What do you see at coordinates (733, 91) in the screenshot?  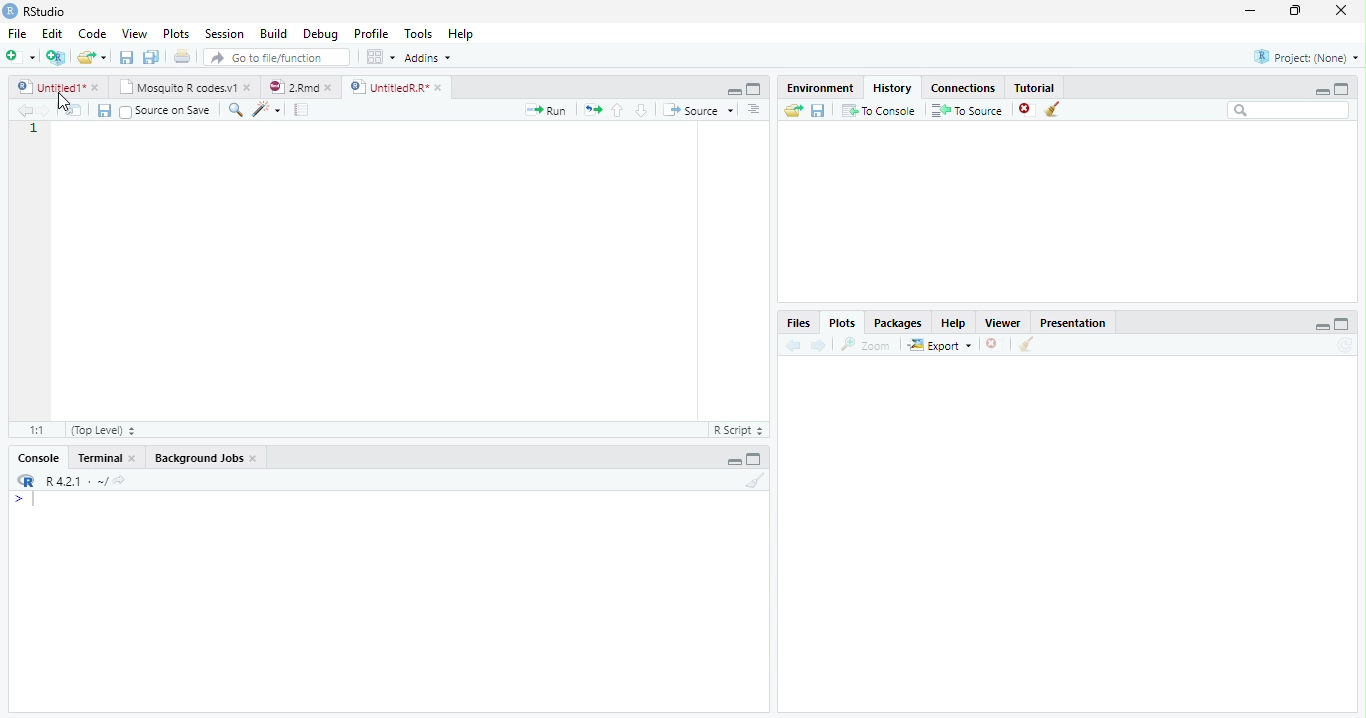 I see `Minimize` at bounding box center [733, 91].